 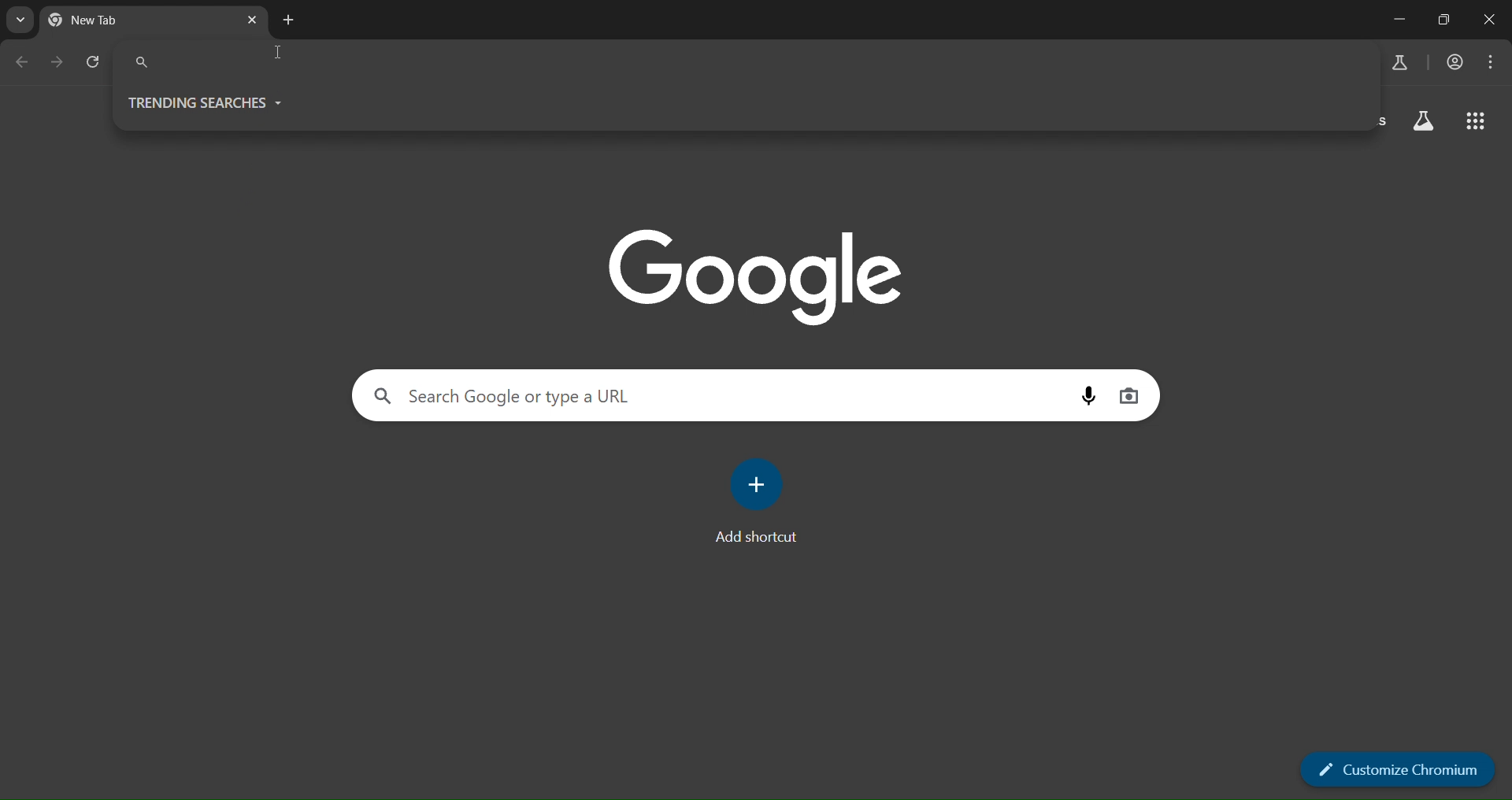 I want to click on cursor, so click(x=280, y=55).